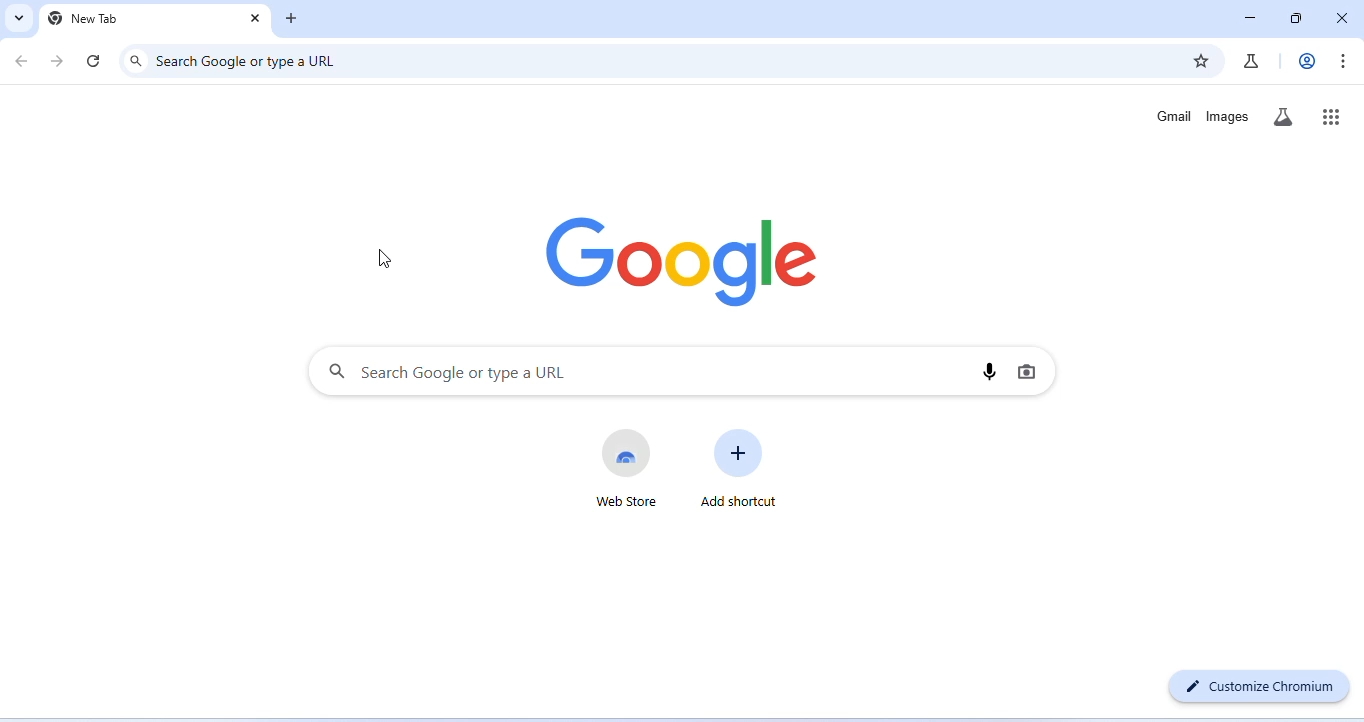  What do you see at coordinates (25, 60) in the screenshot?
I see `go back` at bounding box center [25, 60].